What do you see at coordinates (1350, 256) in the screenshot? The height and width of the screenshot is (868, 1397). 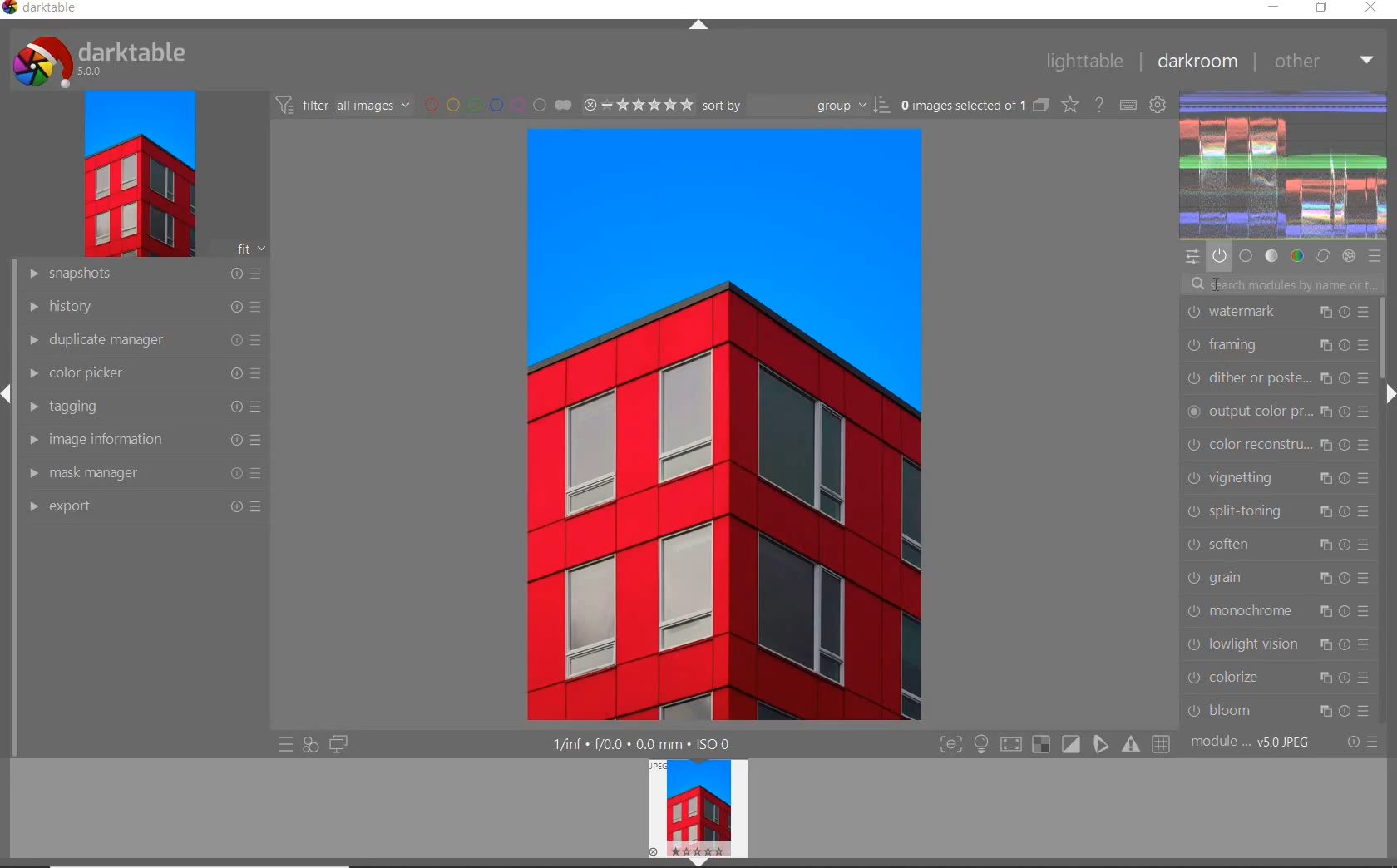 I see `effect` at bounding box center [1350, 256].